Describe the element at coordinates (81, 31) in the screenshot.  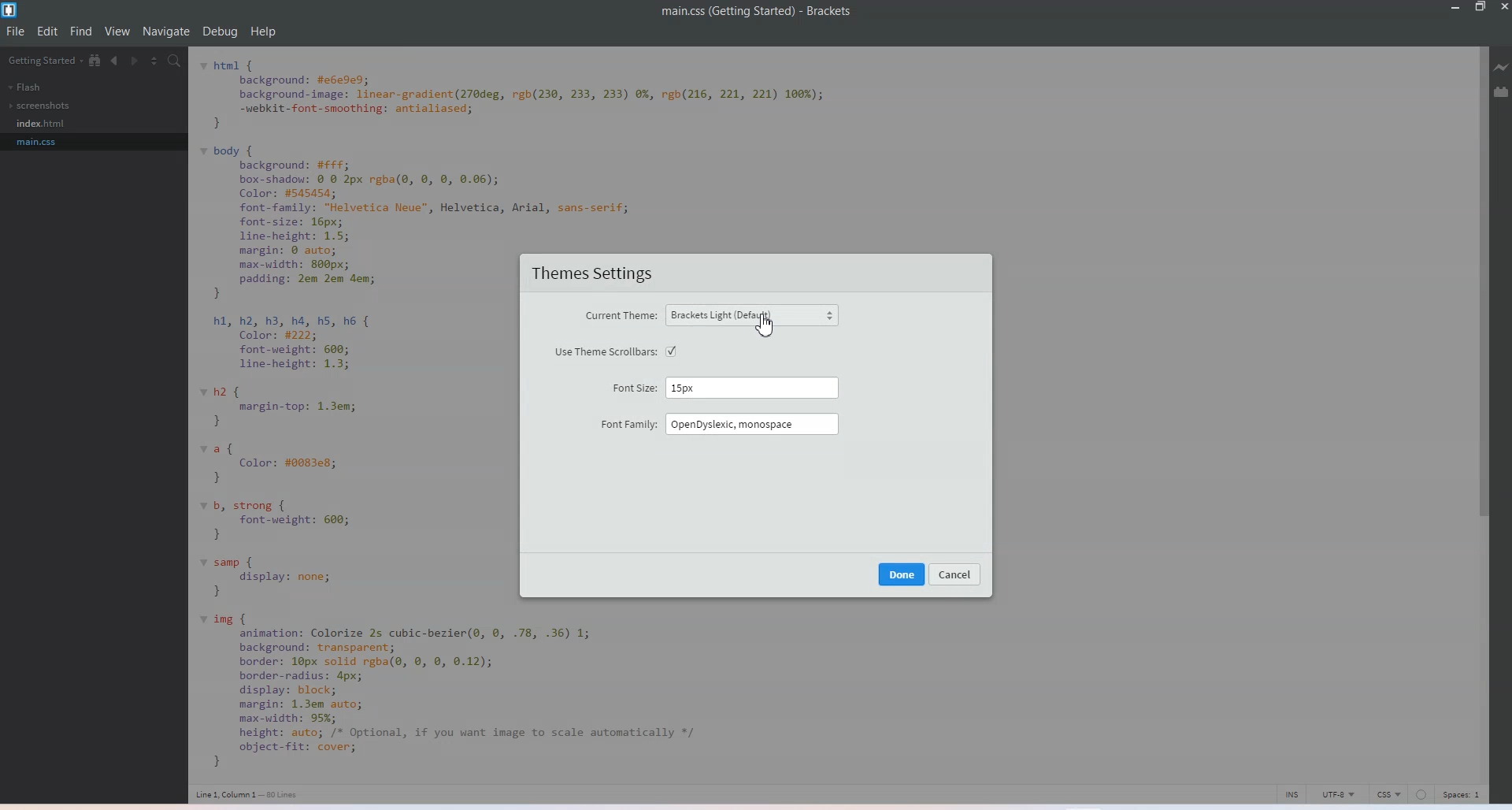
I see `Find` at that location.